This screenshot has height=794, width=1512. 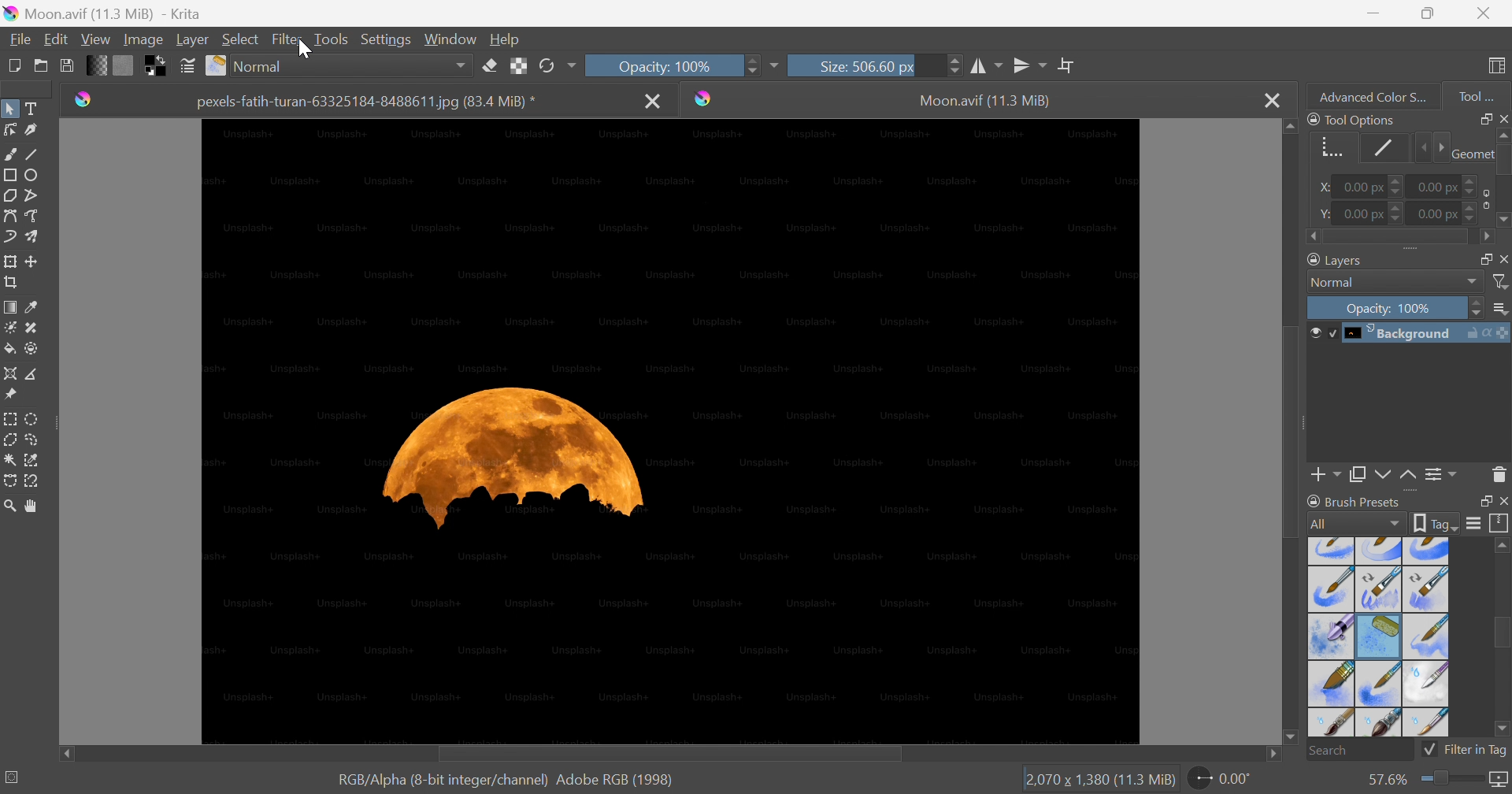 What do you see at coordinates (1394, 282) in the screenshot?
I see `Normal` at bounding box center [1394, 282].